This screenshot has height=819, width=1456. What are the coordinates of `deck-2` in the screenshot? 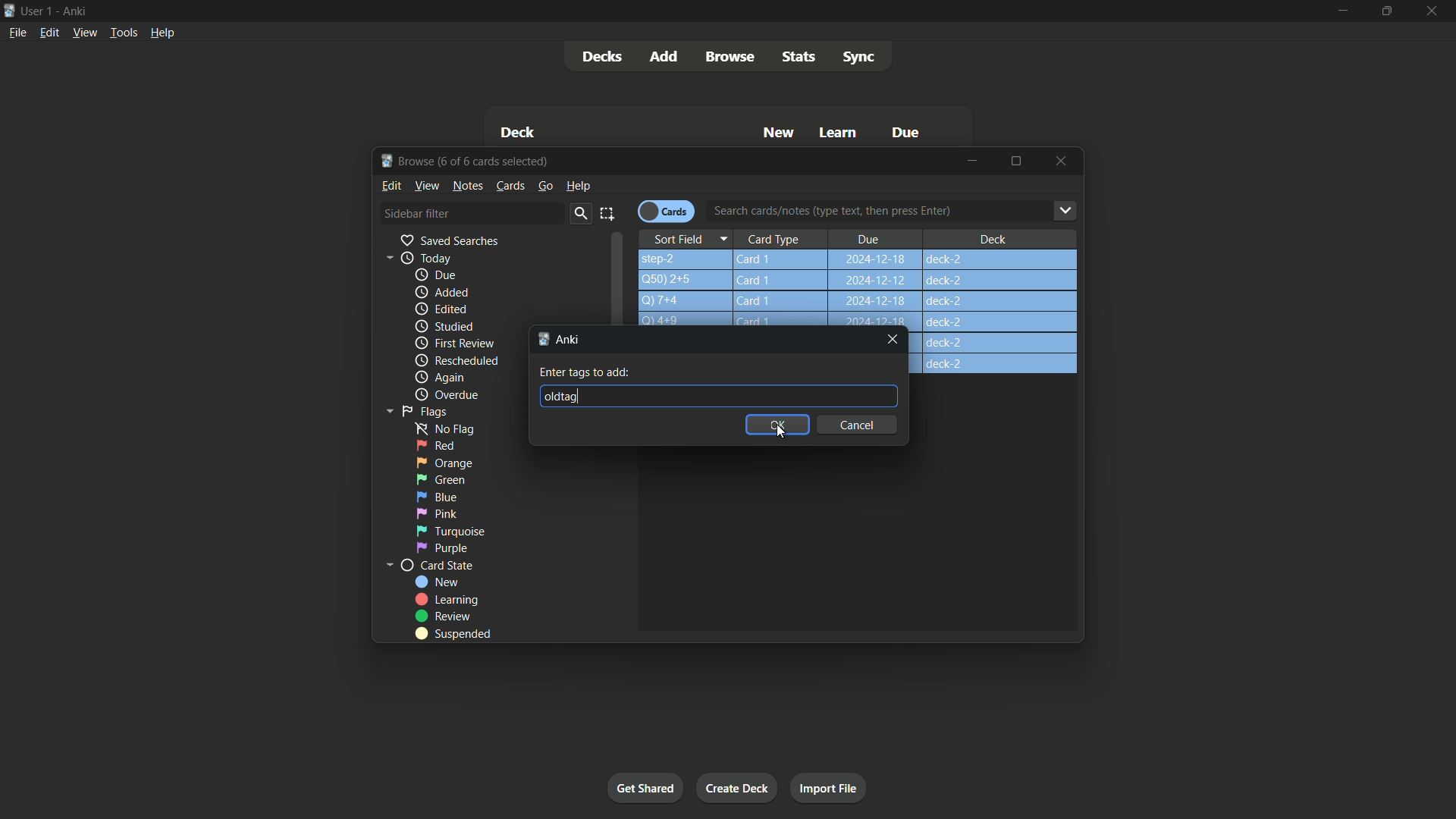 It's located at (997, 350).